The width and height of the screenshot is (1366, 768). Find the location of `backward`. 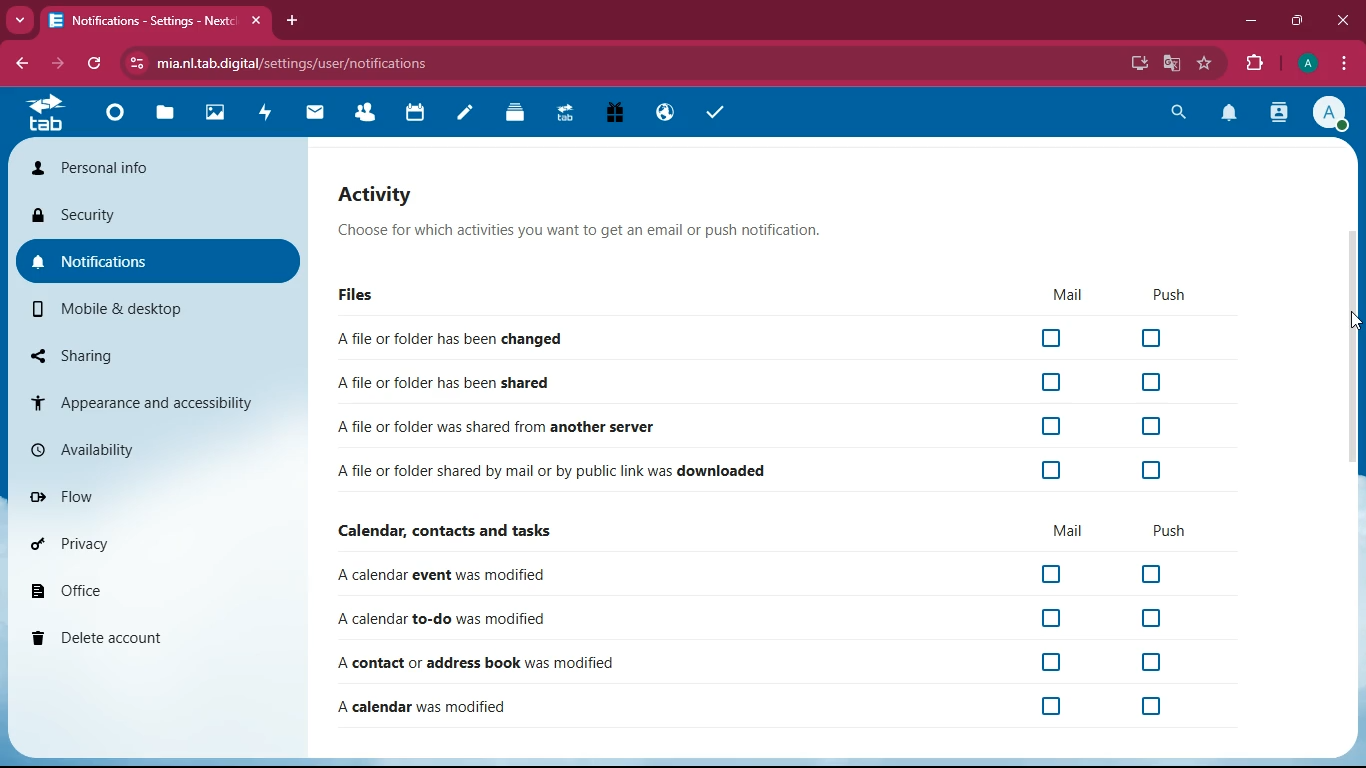

backward is located at coordinates (19, 61).